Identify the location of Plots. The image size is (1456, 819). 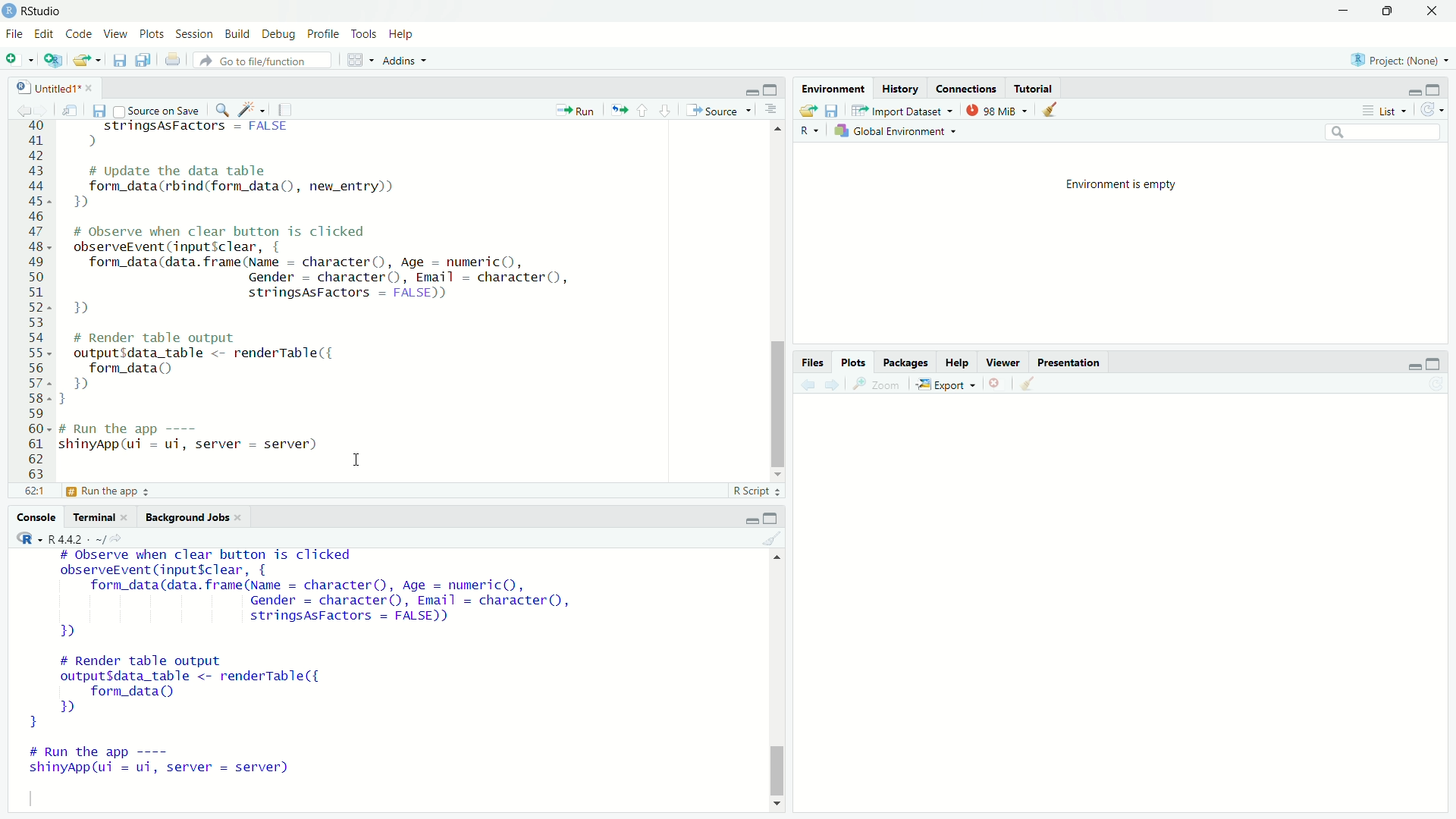
(152, 34).